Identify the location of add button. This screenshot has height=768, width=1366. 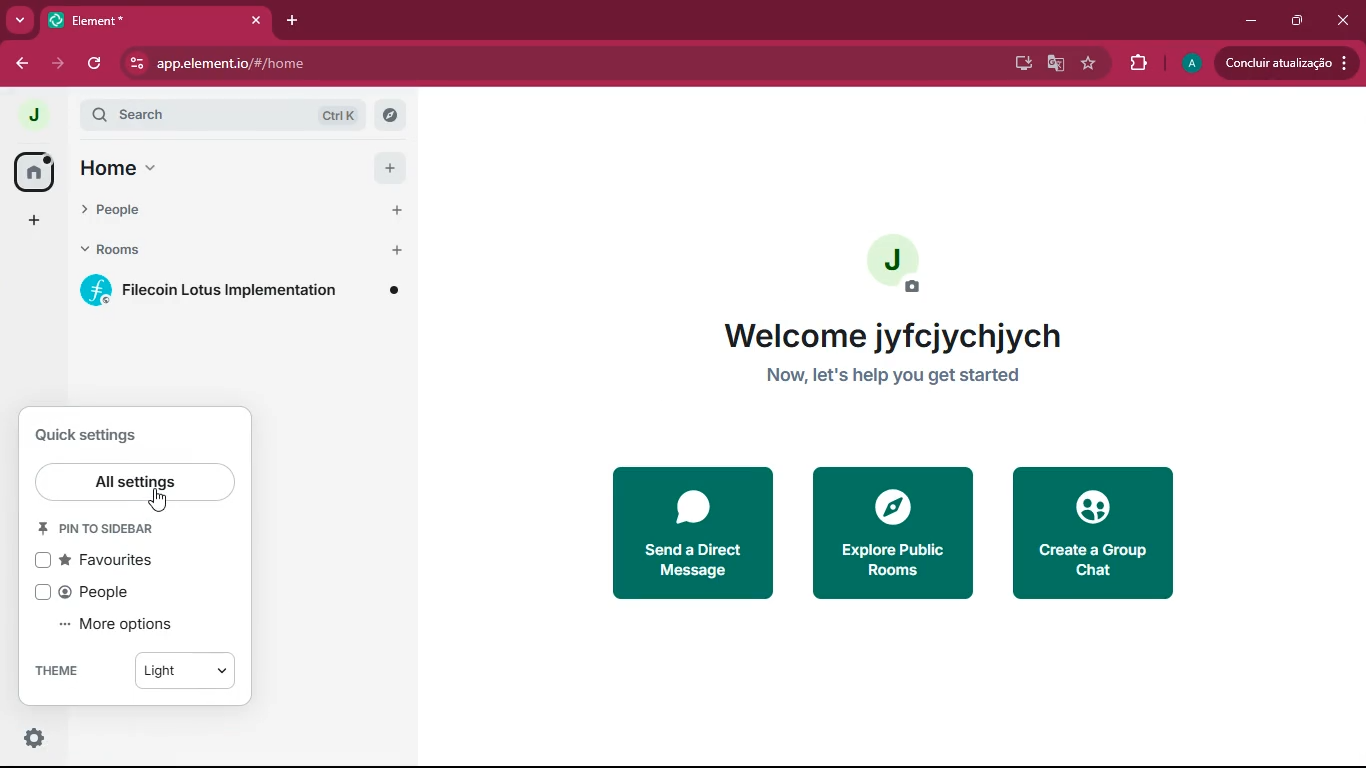
(400, 210).